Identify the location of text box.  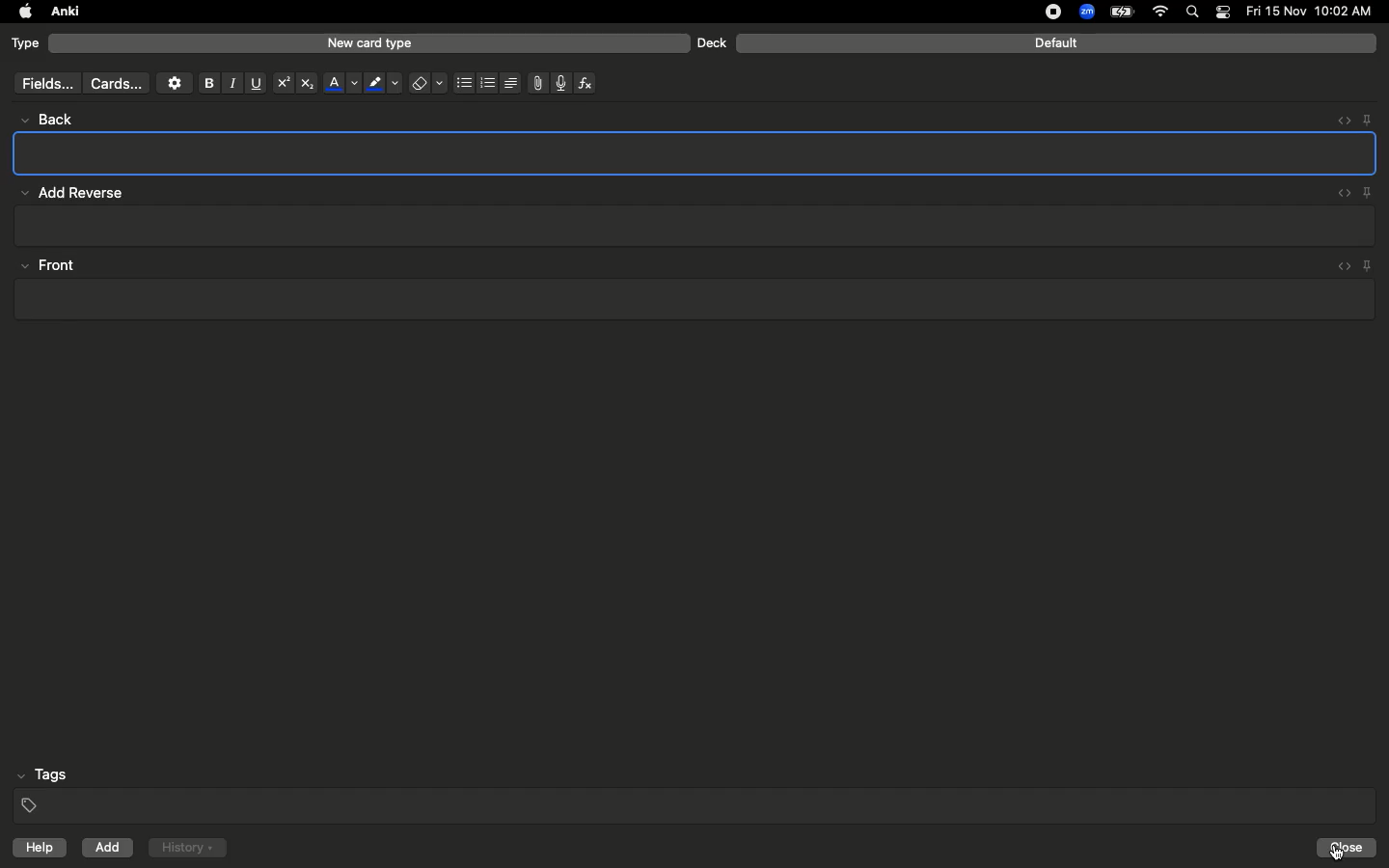
(691, 299).